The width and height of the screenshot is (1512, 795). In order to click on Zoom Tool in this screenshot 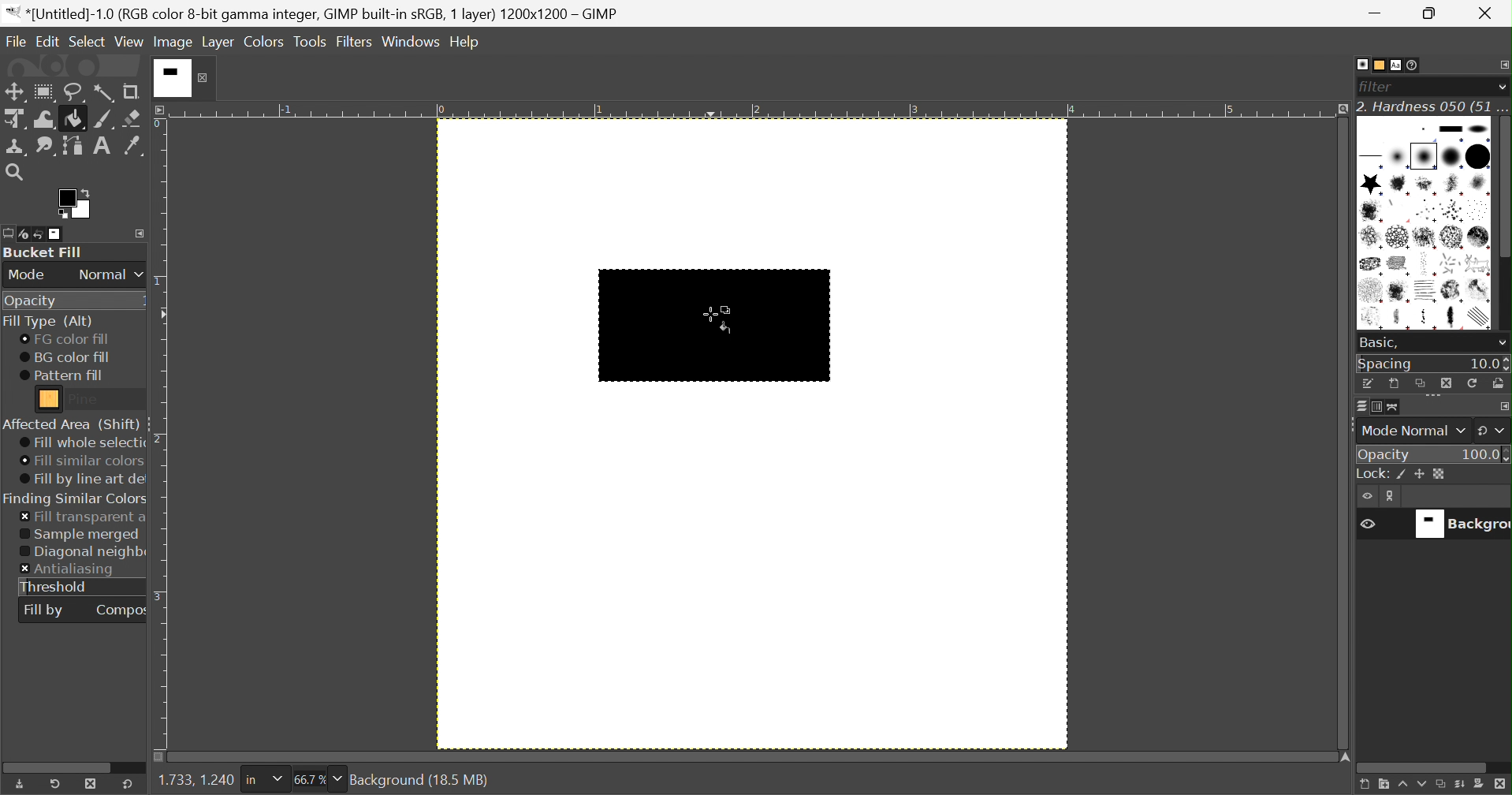, I will do `click(13, 172)`.